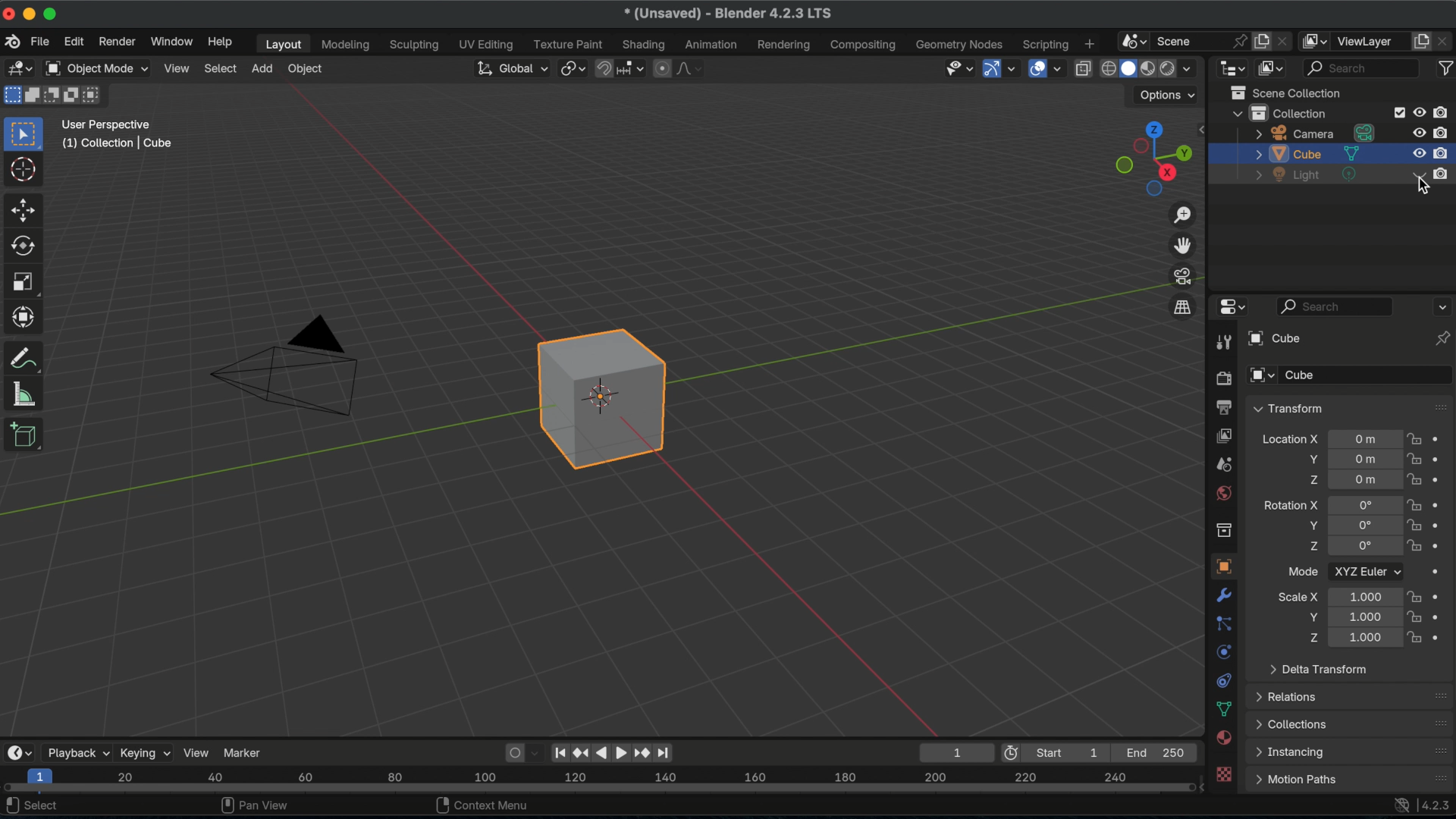  Describe the element at coordinates (1423, 196) in the screenshot. I see `cursor` at that location.